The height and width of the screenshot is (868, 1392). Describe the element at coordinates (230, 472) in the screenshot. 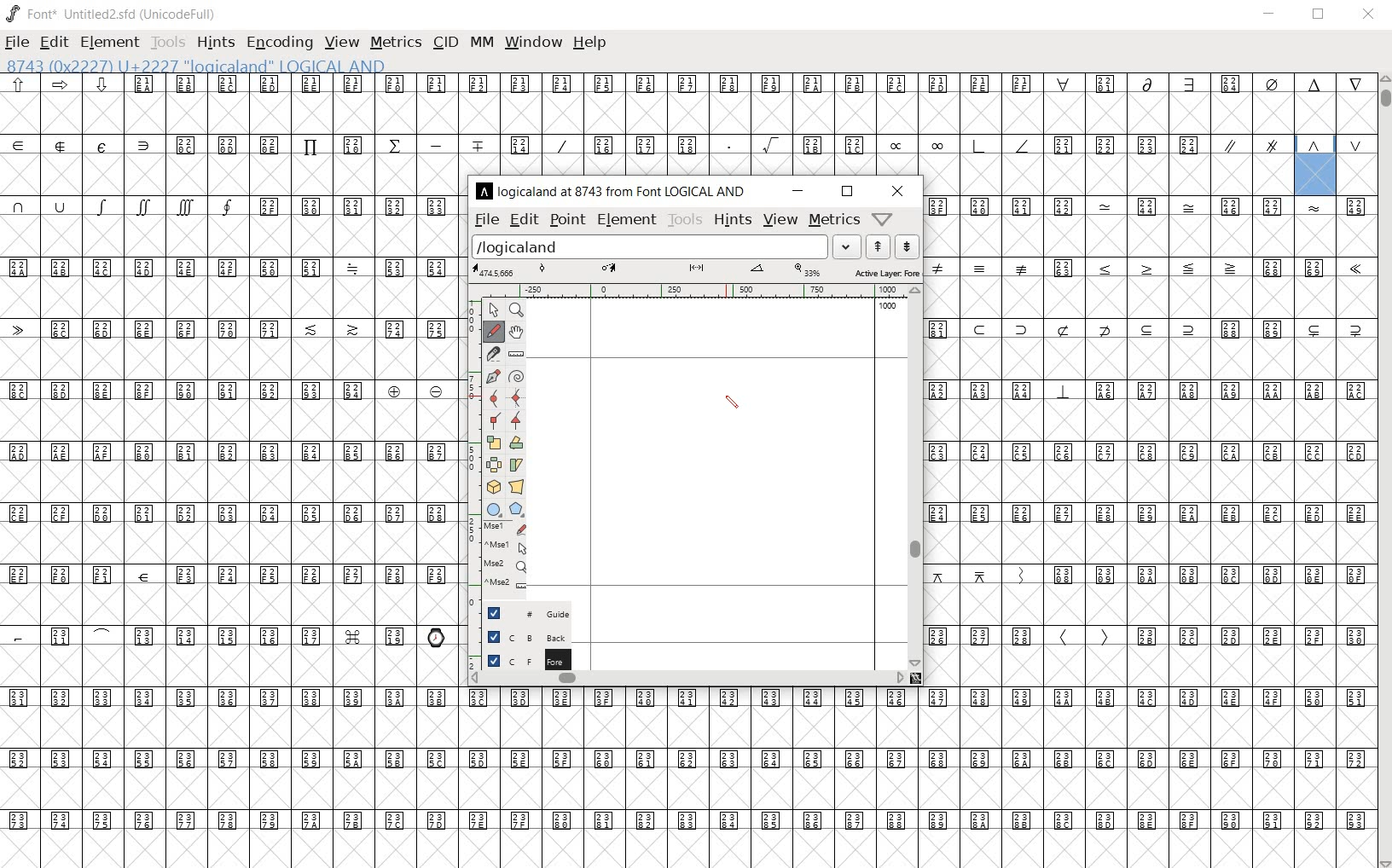

I see `glyph characters` at that location.